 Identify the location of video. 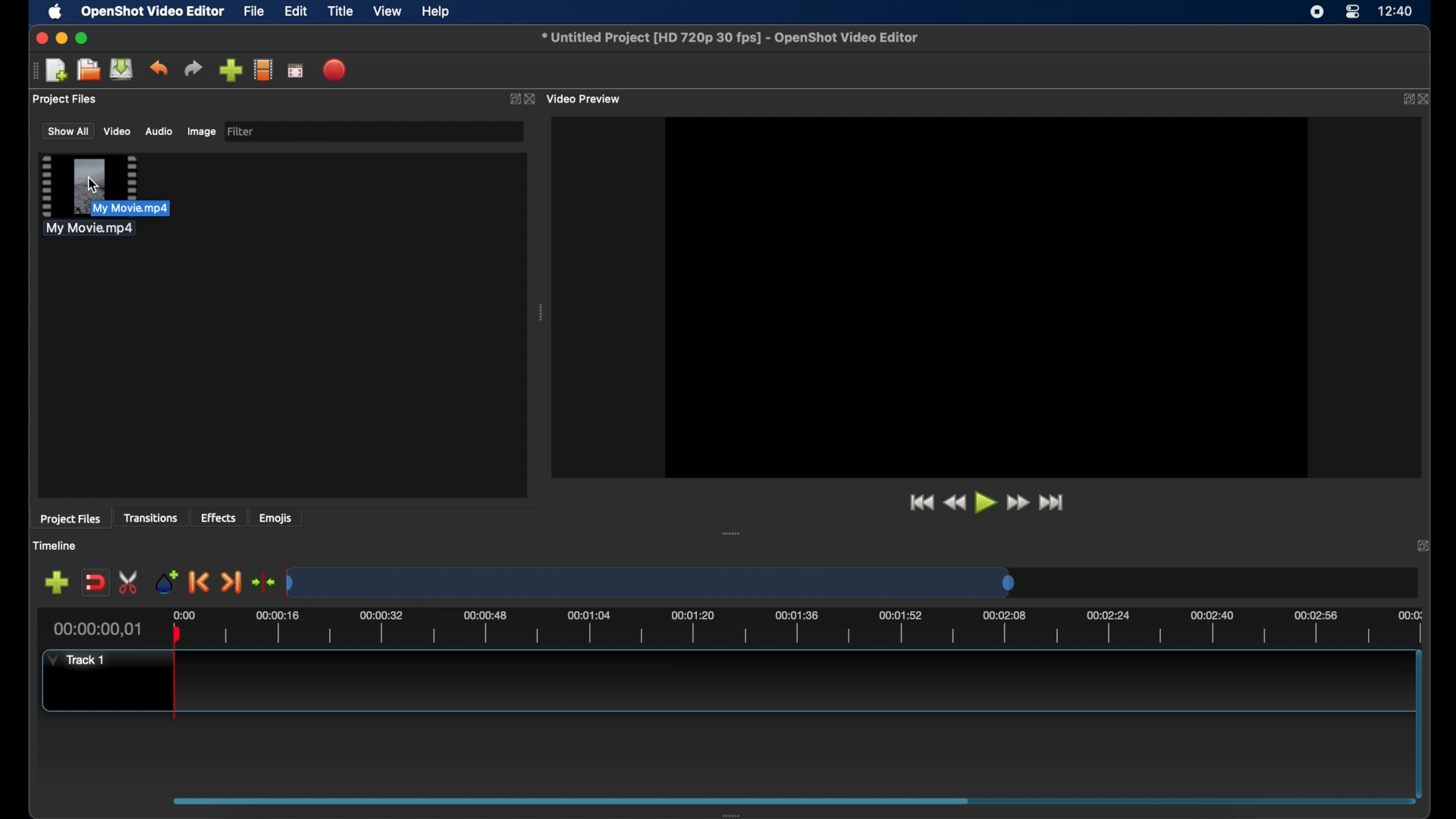
(117, 132).